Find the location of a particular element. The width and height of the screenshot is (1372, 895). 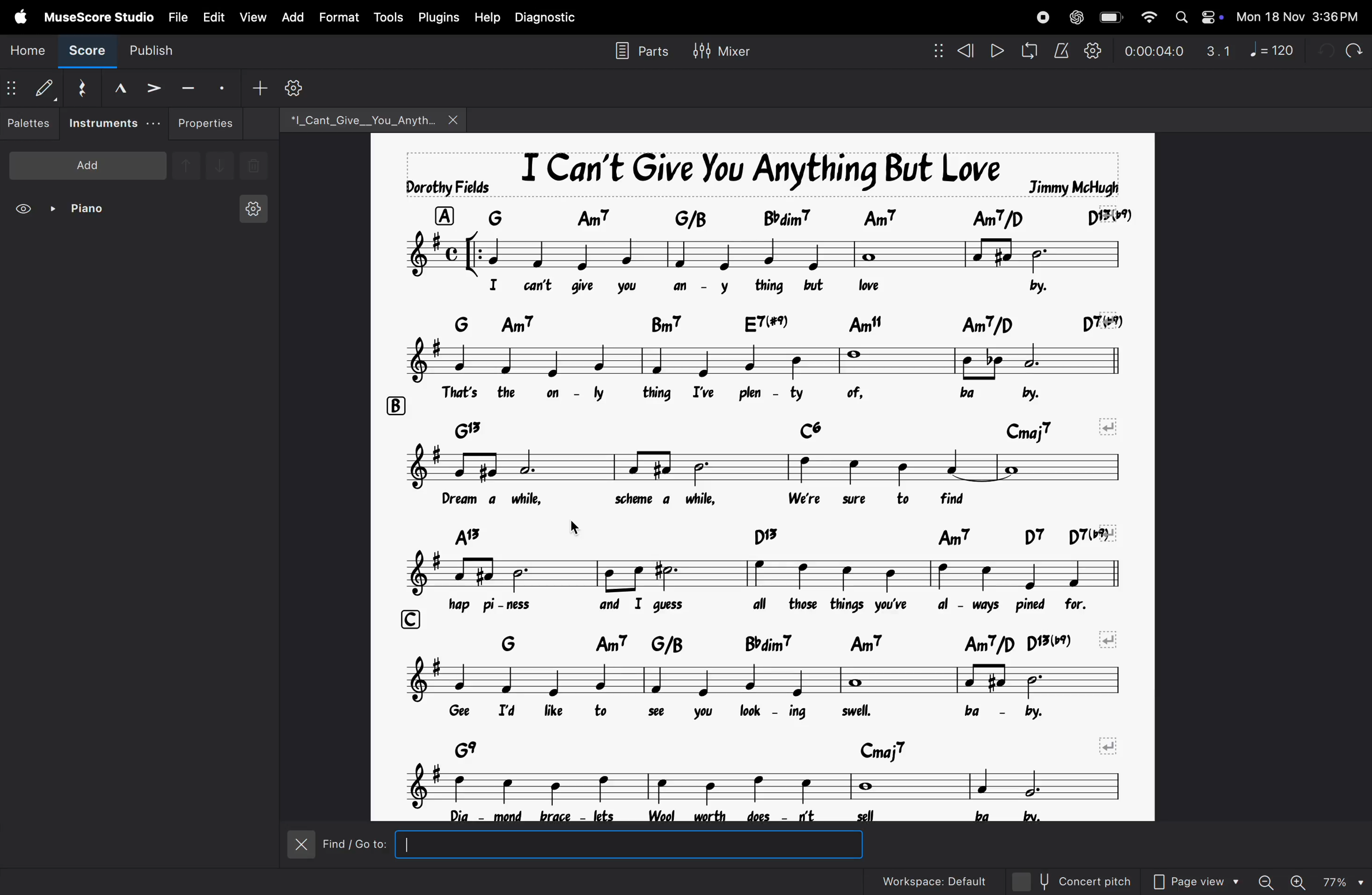

lyrics is located at coordinates (756, 396).